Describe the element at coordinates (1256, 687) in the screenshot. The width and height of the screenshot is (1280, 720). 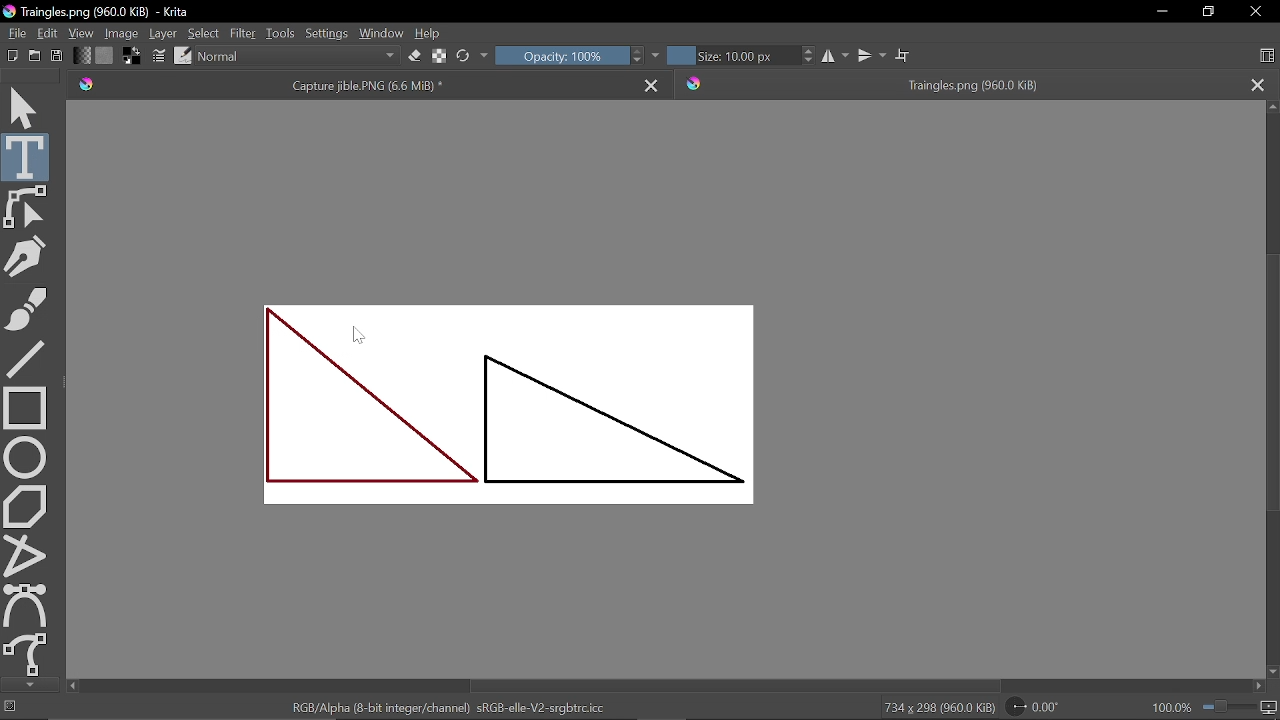
I see `Move right` at that location.